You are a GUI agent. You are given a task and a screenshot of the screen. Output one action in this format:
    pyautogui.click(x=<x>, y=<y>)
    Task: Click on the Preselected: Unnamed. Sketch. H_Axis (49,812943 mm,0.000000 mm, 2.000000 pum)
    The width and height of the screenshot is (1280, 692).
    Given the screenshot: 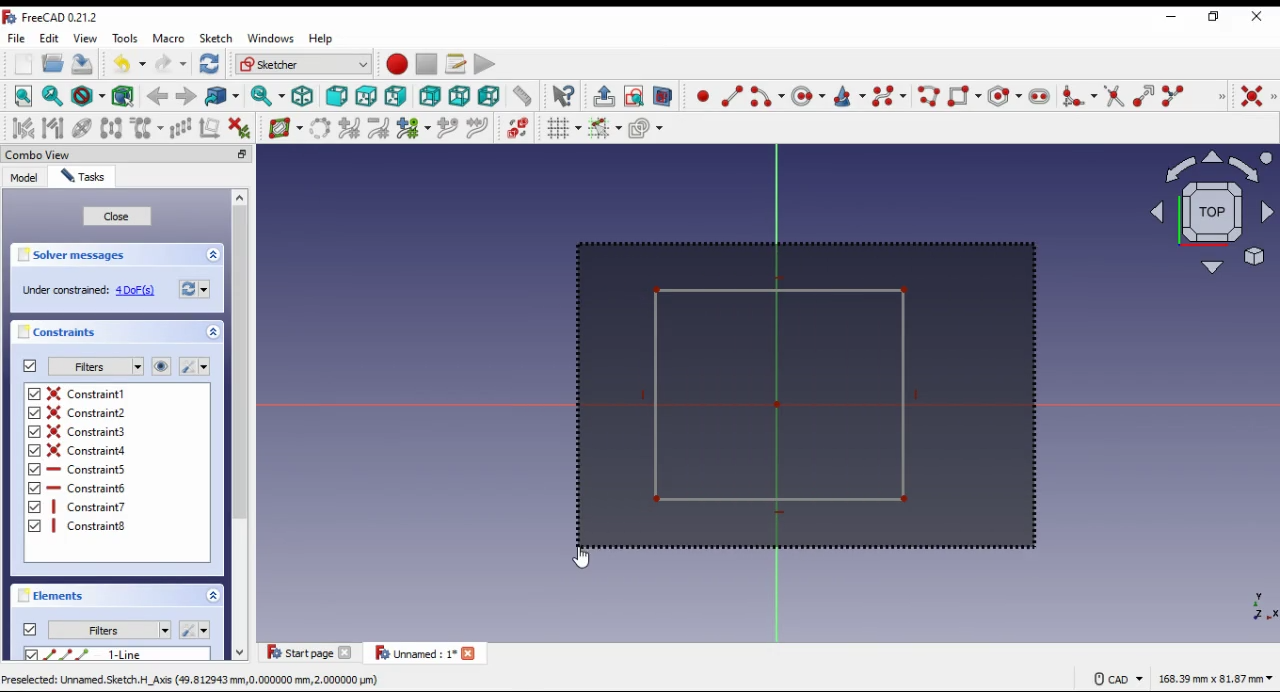 What is the action you would take?
    pyautogui.click(x=193, y=680)
    